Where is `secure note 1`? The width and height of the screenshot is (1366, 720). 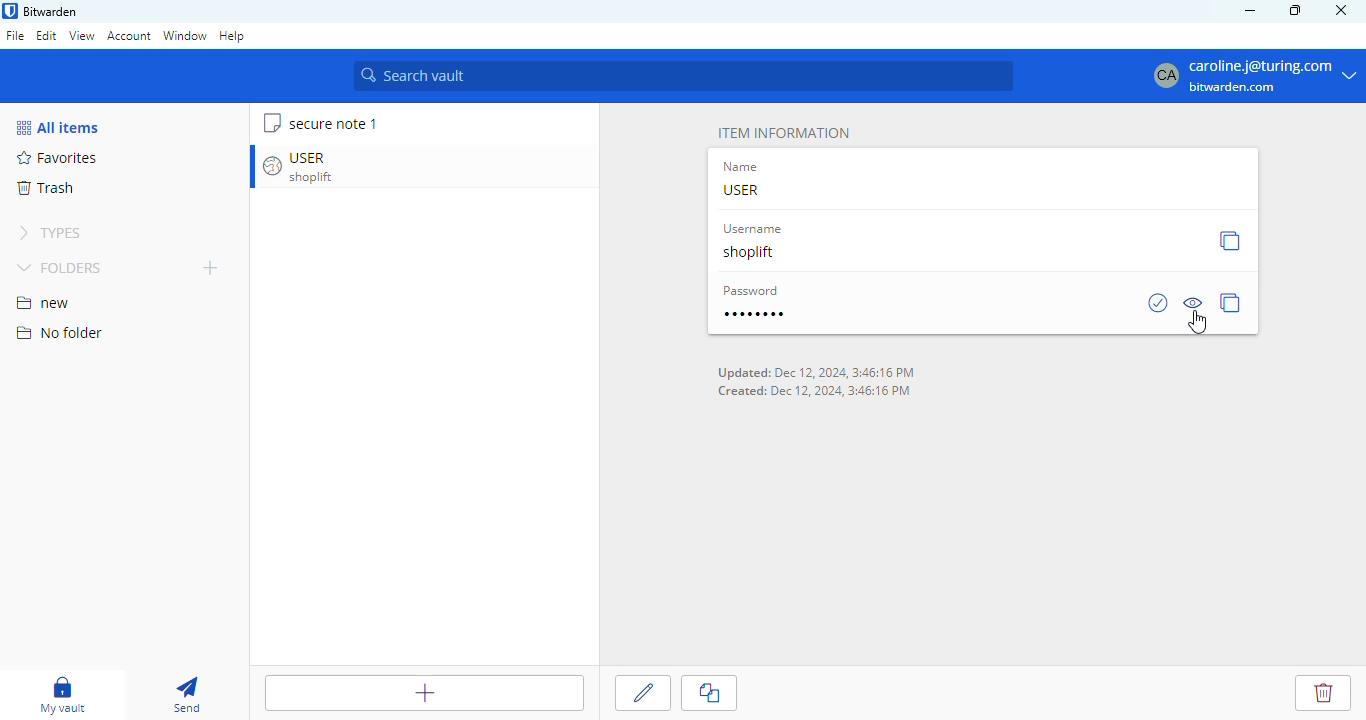
secure note 1 is located at coordinates (332, 123).